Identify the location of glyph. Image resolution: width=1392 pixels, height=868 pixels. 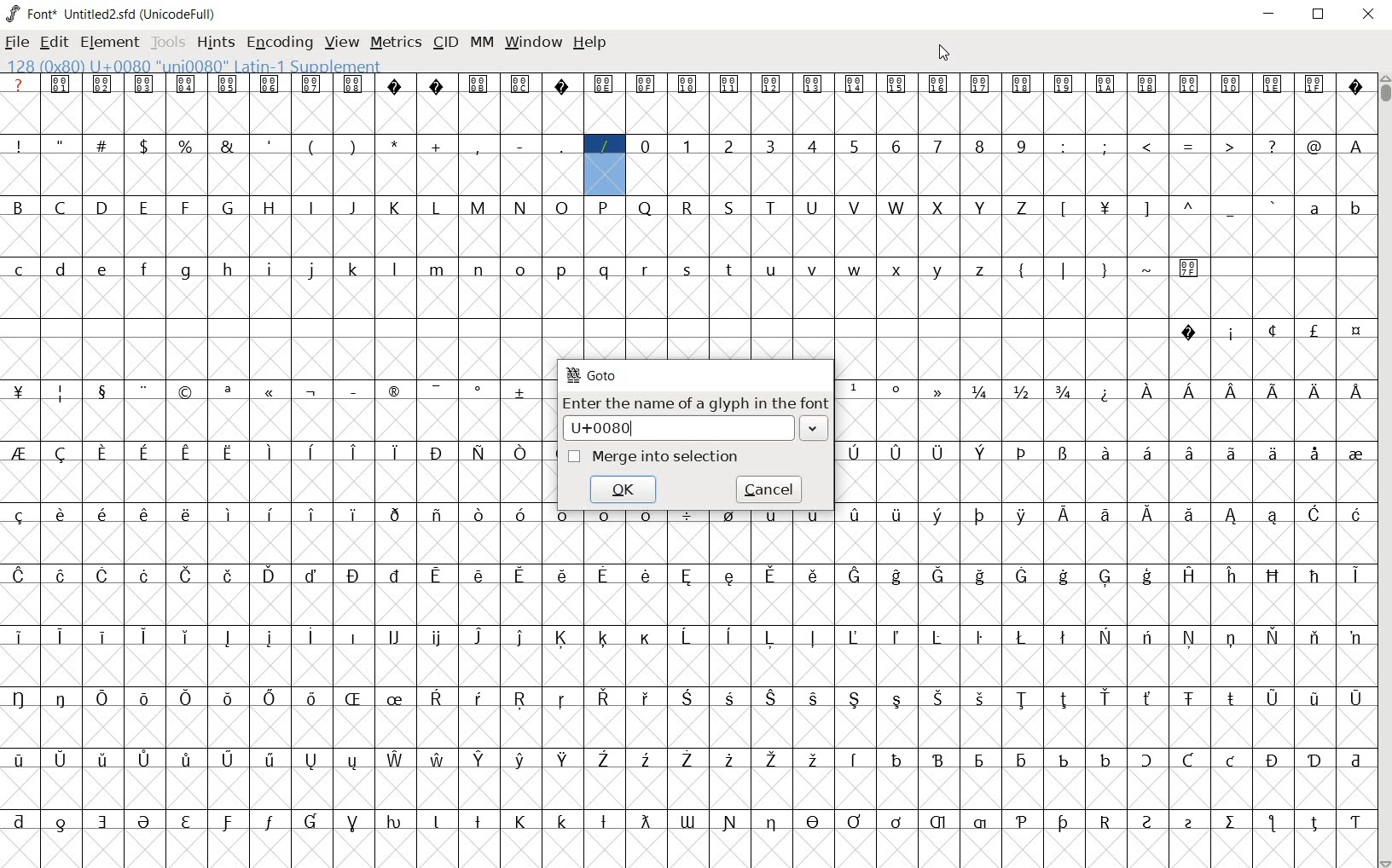
(603, 759).